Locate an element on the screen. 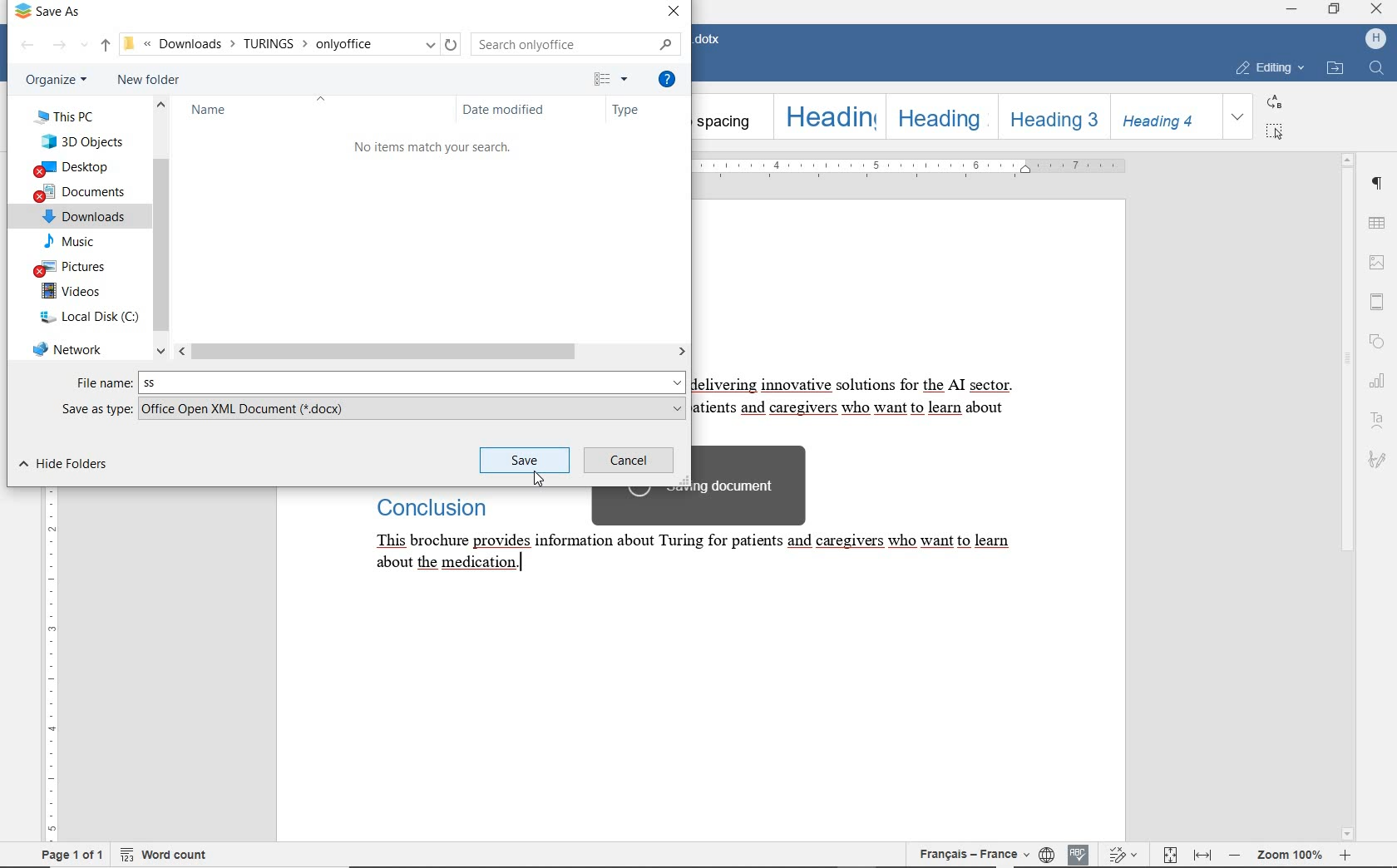 The width and height of the screenshot is (1397, 868). LOCAL DISK (C) is located at coordinates (87, 316).